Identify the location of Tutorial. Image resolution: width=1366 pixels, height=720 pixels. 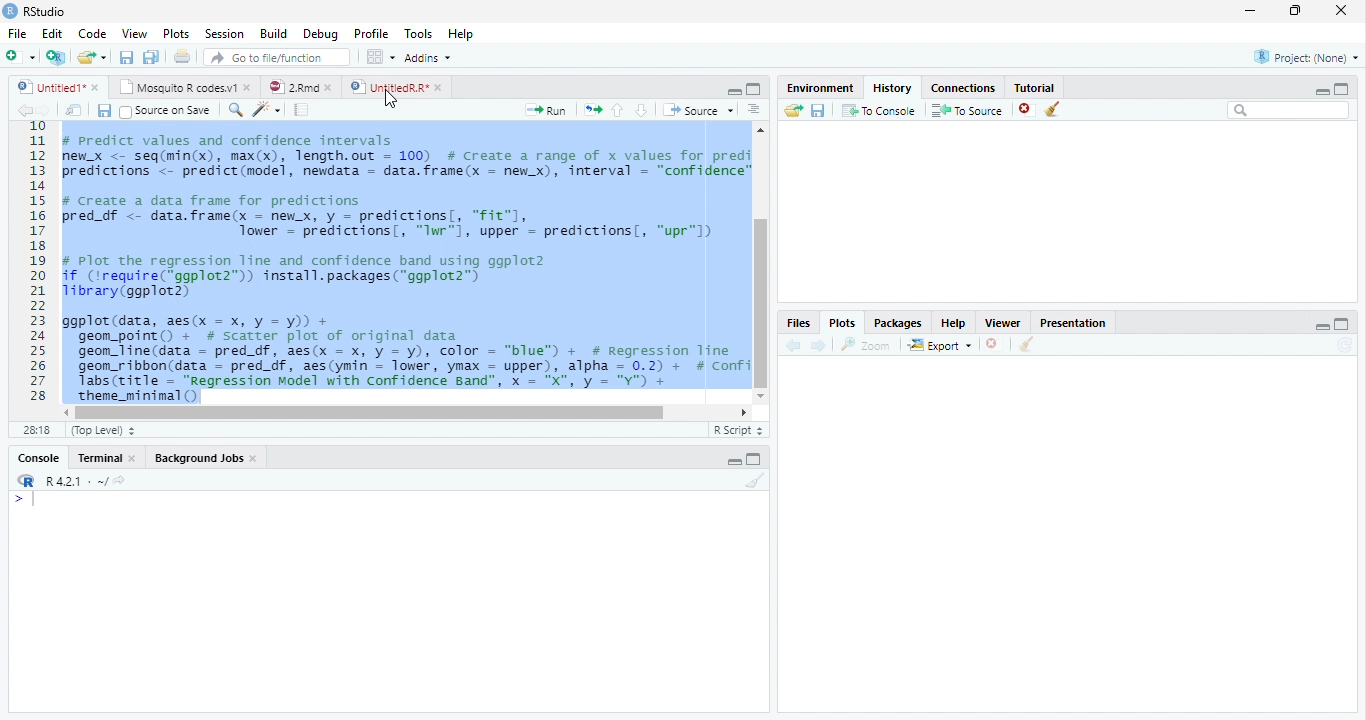
(1035, 88).